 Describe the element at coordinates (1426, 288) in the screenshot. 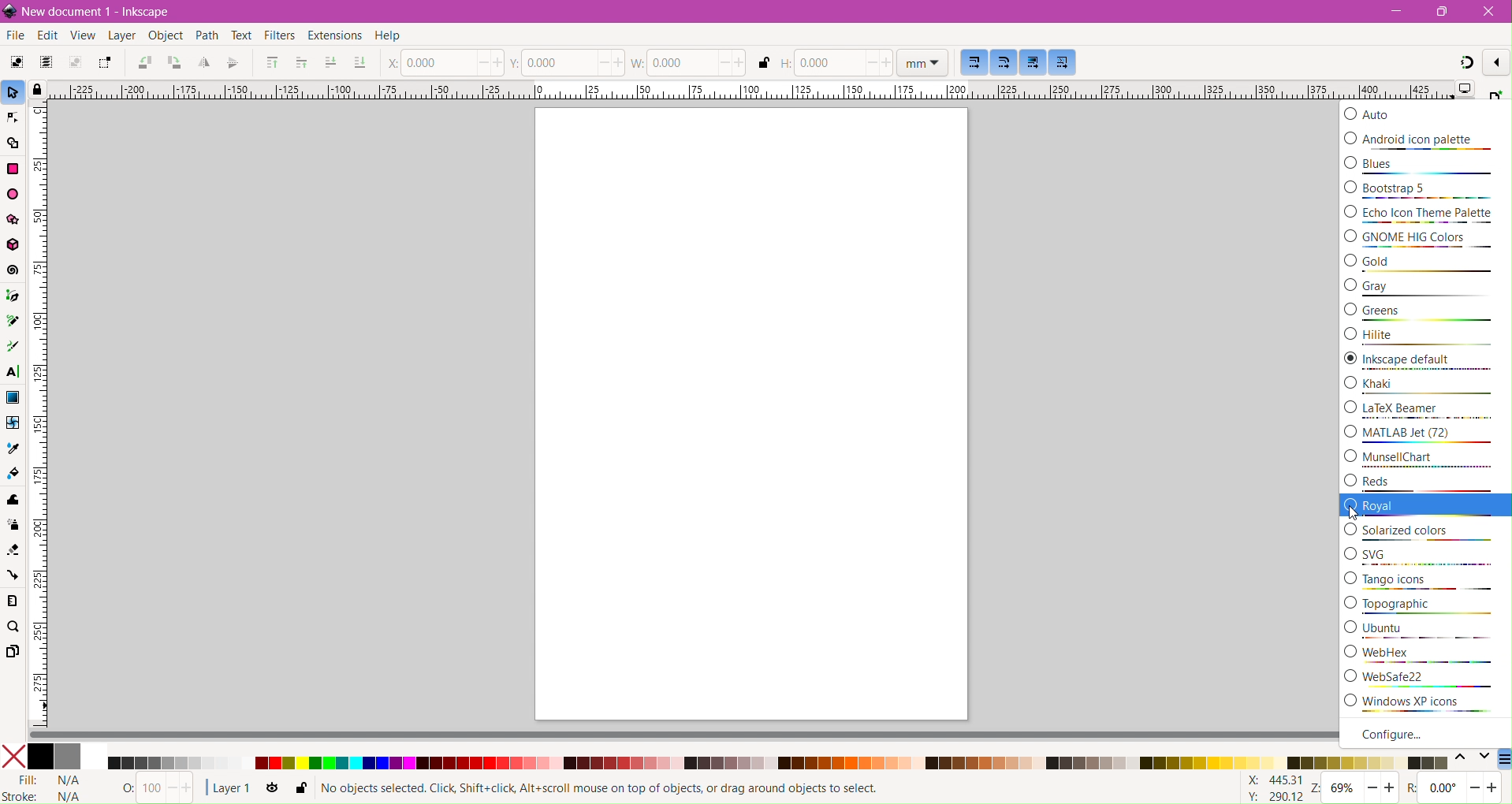

I see `Gray` at that location.